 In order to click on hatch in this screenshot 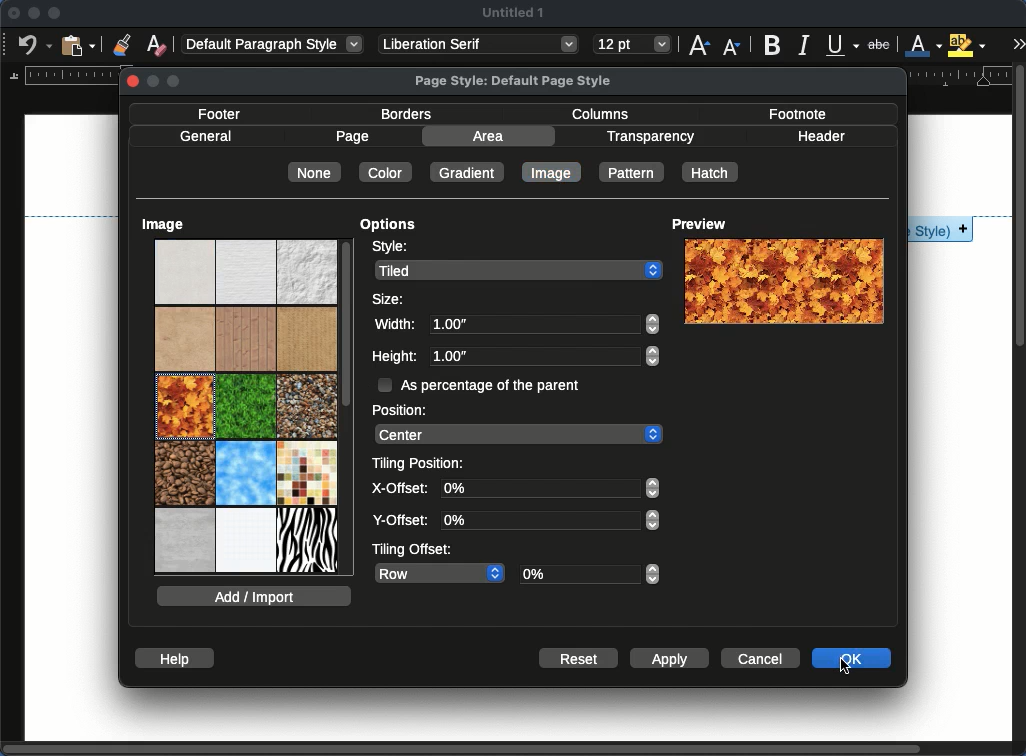, I will do `click(711, 171)`.